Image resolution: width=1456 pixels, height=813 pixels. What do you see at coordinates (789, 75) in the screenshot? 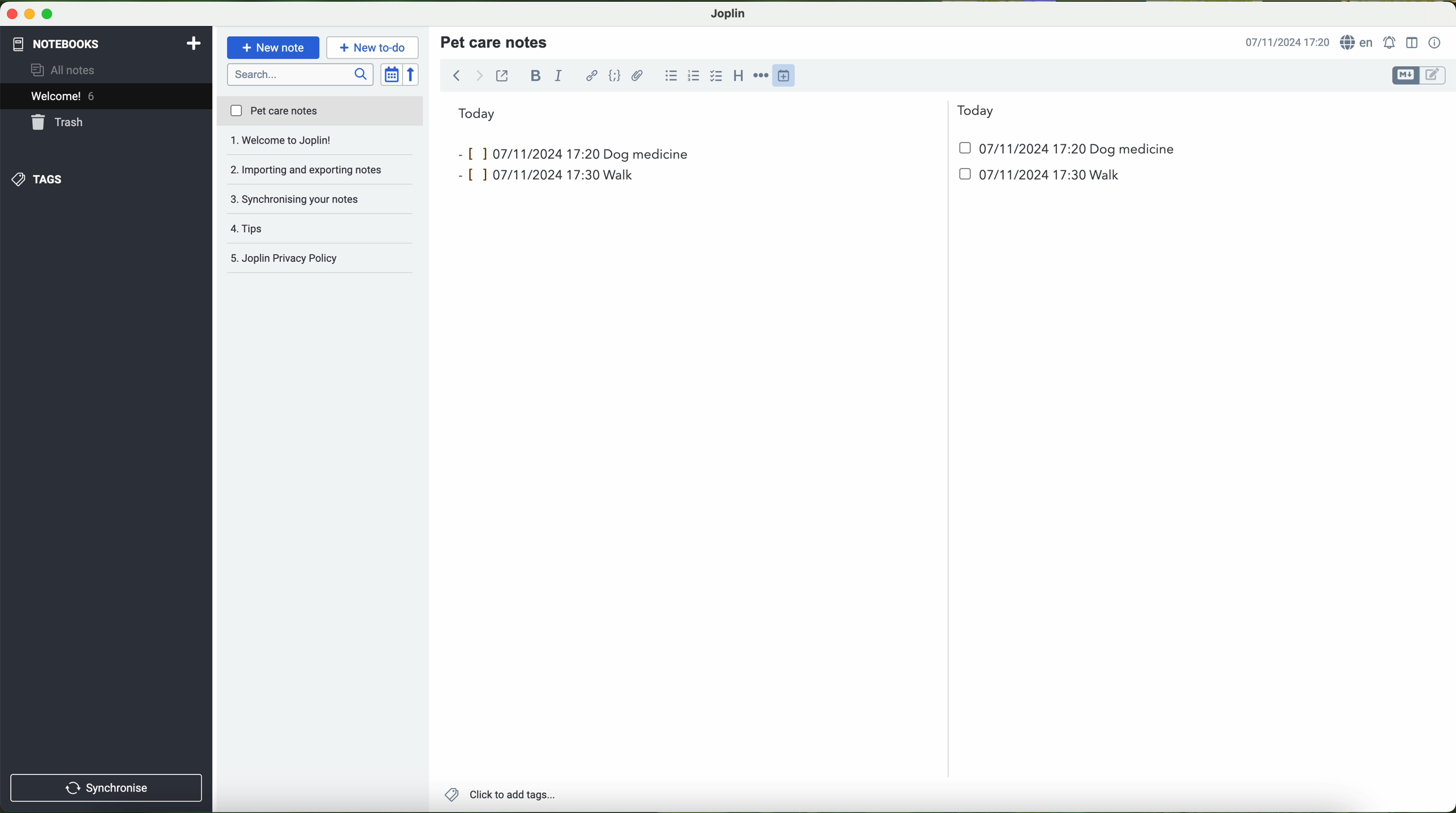
I see `insert time` at bounding box center [789, 75].